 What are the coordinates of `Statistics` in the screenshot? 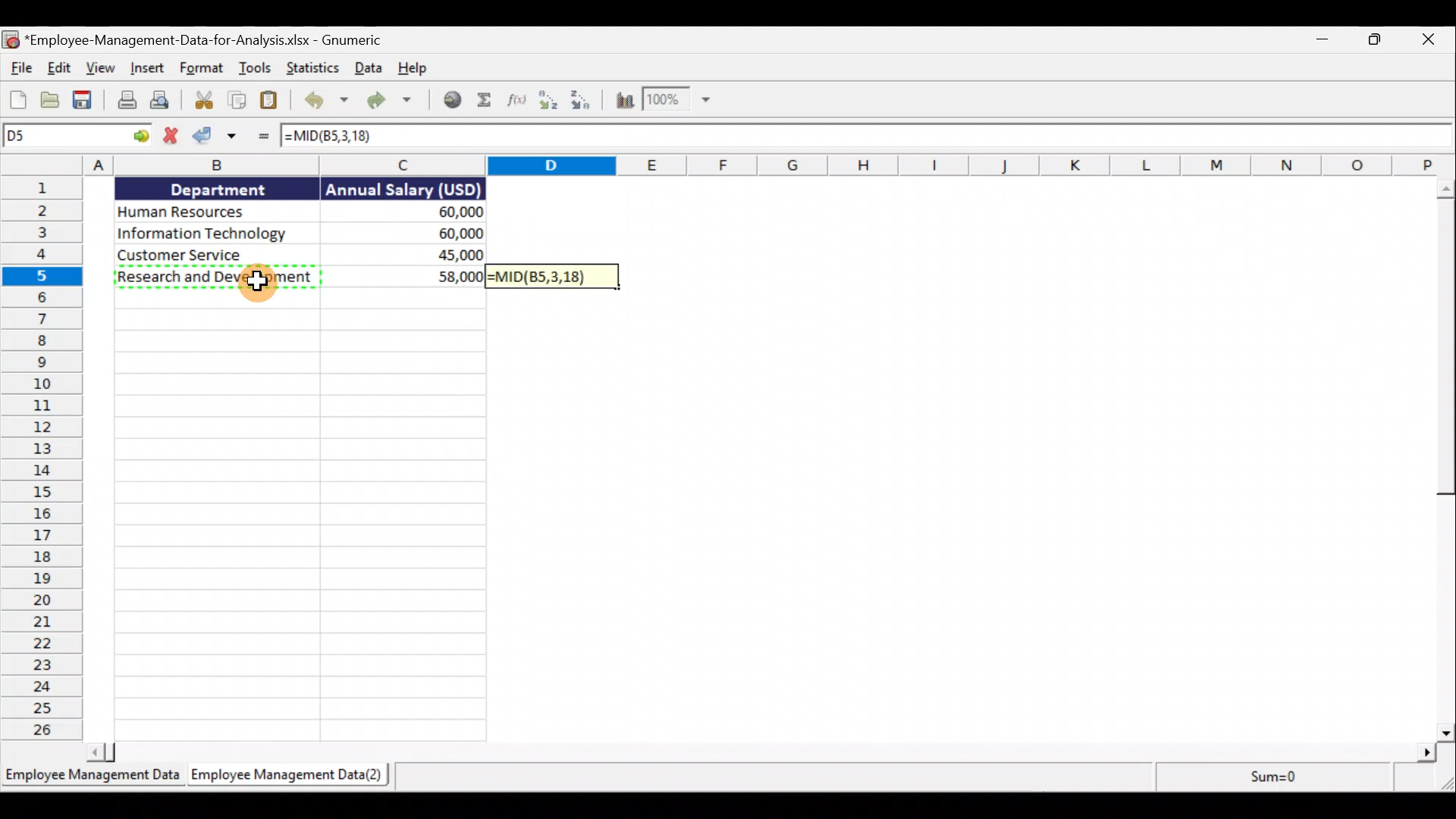 It's located at (315, 68).